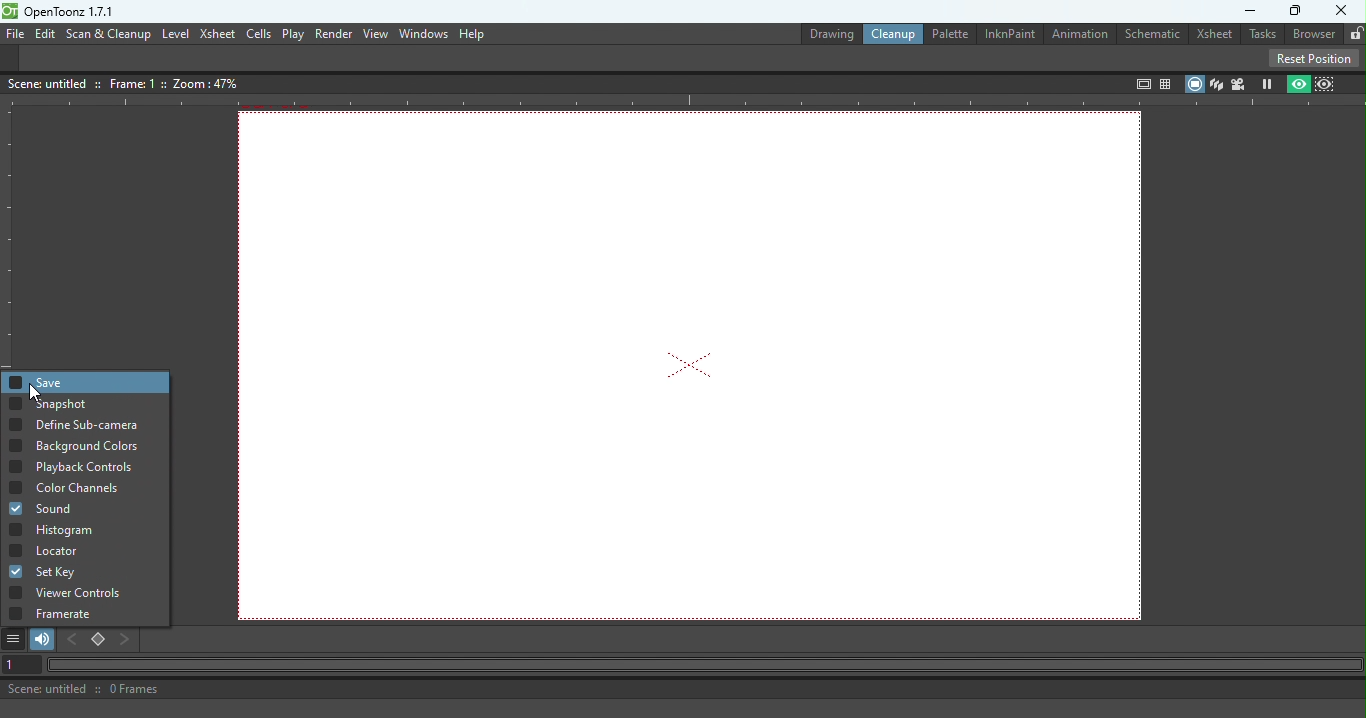 Image resolution: width=1366 pixels, height=718 pixels. I want to click on Play, so click(293, 34).